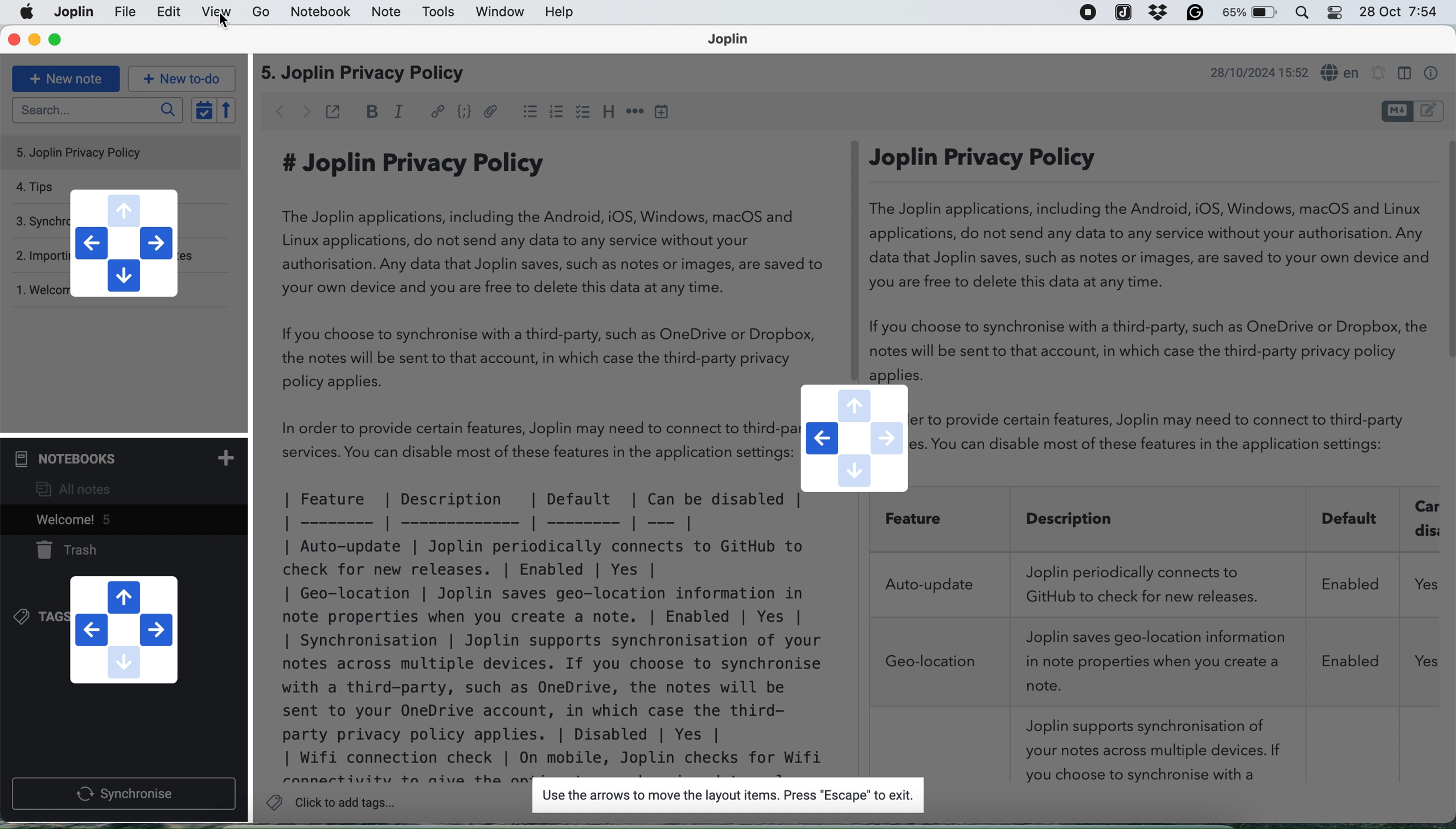 The image size is (1456, 829). I want to click on Use the arrows to move the layout items. Press "Escape" to exit., so click(725, 796).